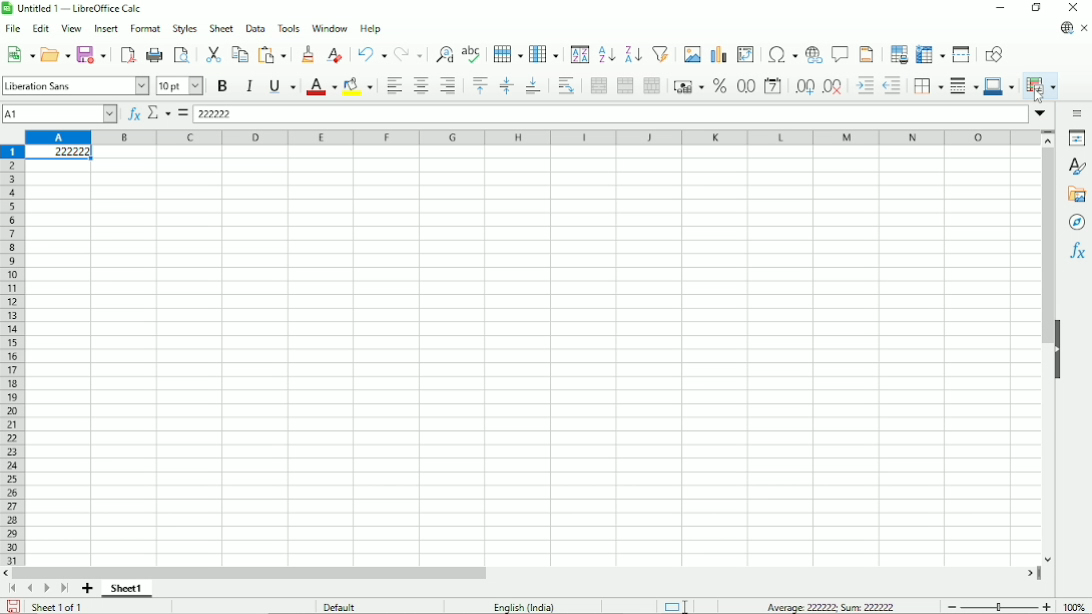 This screenshot has width=1092, height=614. I want to click on Add sheet, so click(88, 589).